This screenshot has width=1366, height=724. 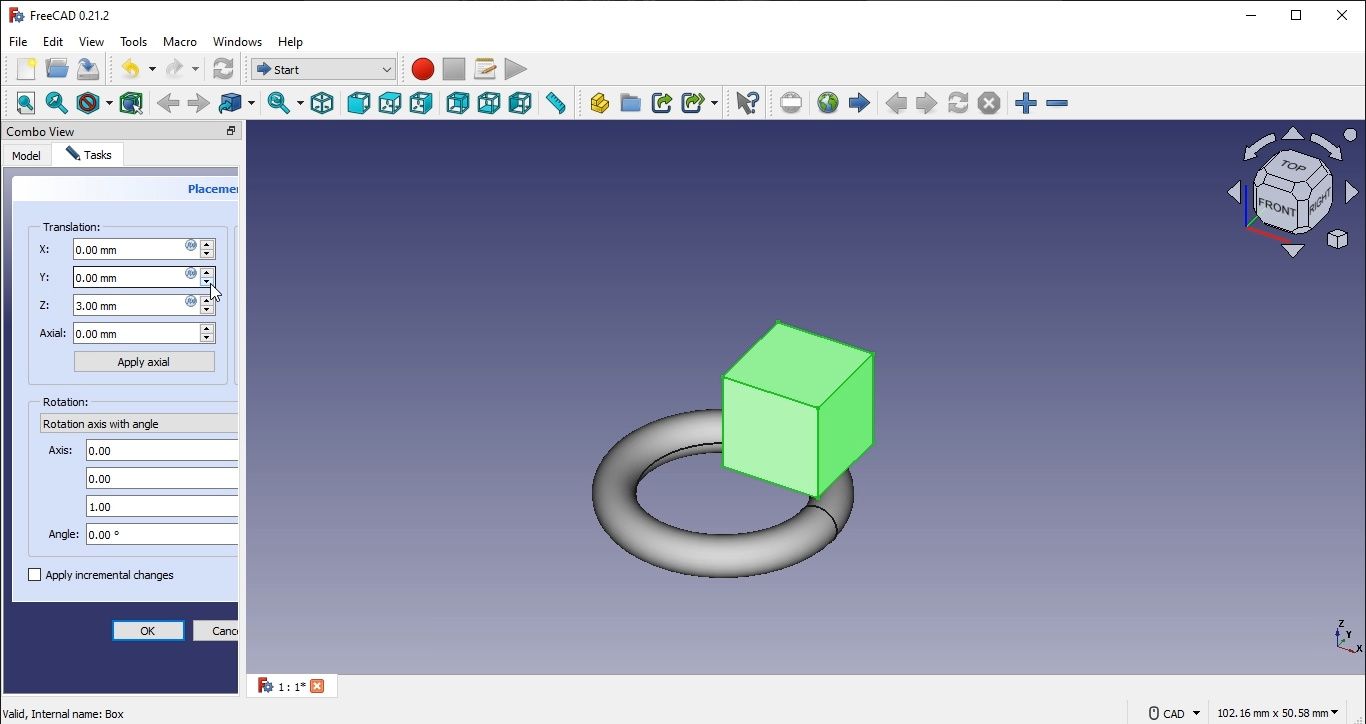 I want to click on translation, so click(x=73, y=227).